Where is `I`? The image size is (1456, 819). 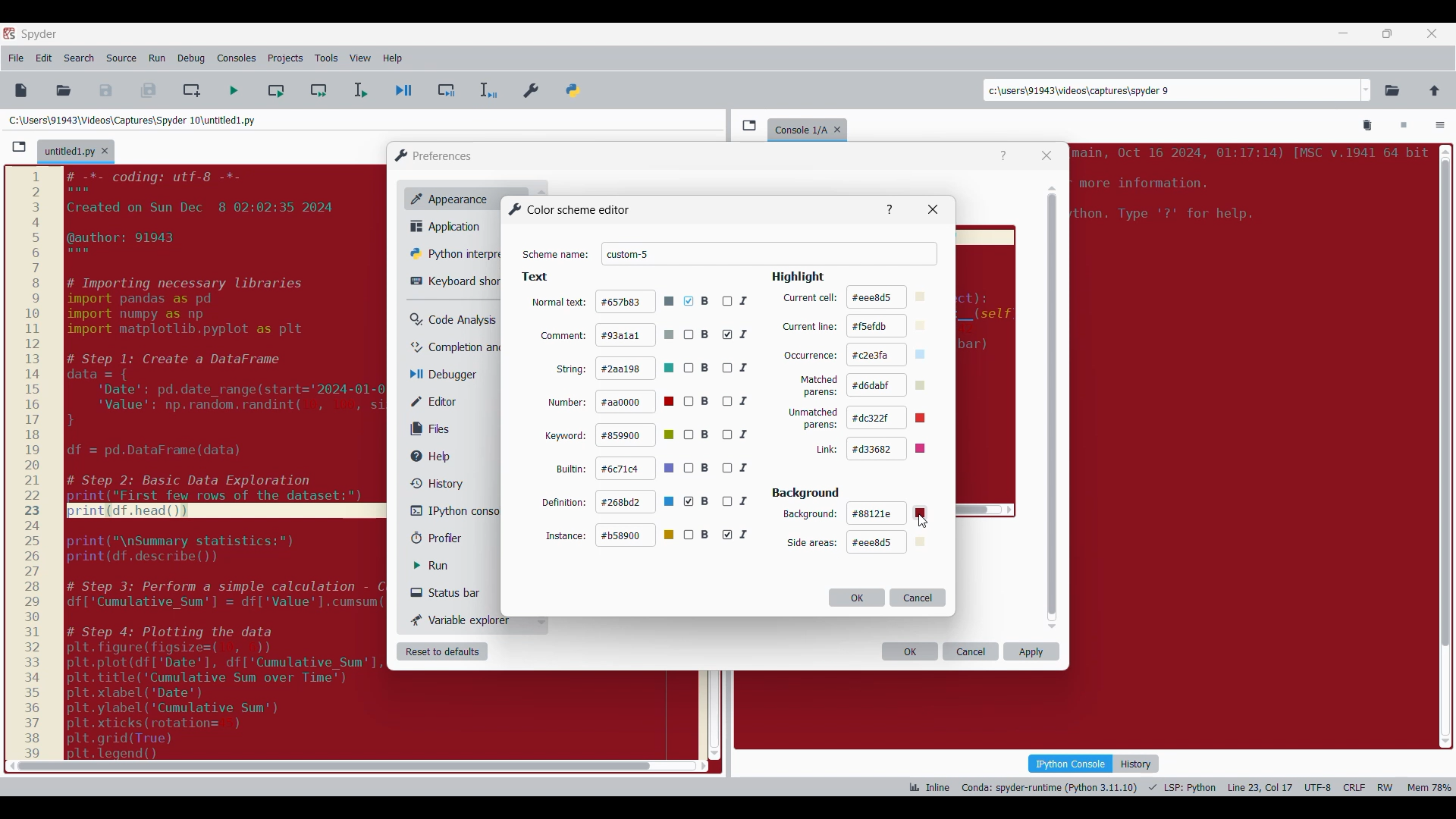
I is located at coordinates (739, 501).